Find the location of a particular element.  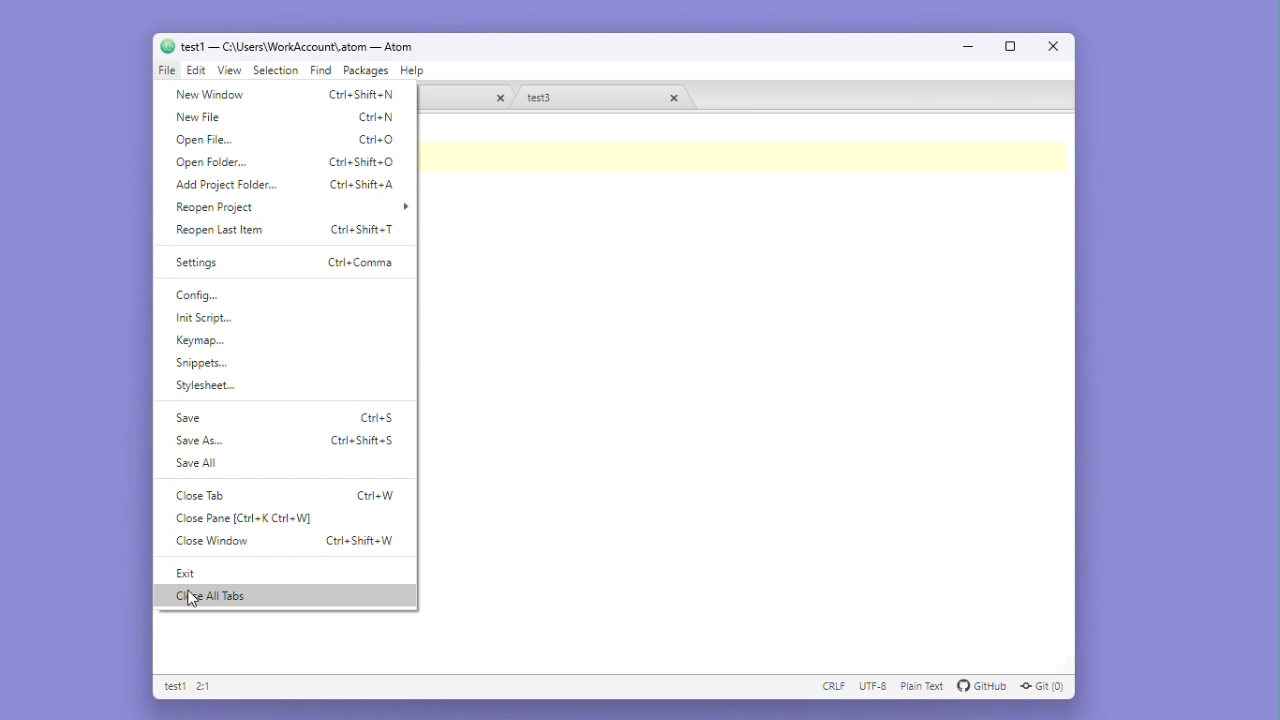

Minimize is located at coordinates (970, 50).